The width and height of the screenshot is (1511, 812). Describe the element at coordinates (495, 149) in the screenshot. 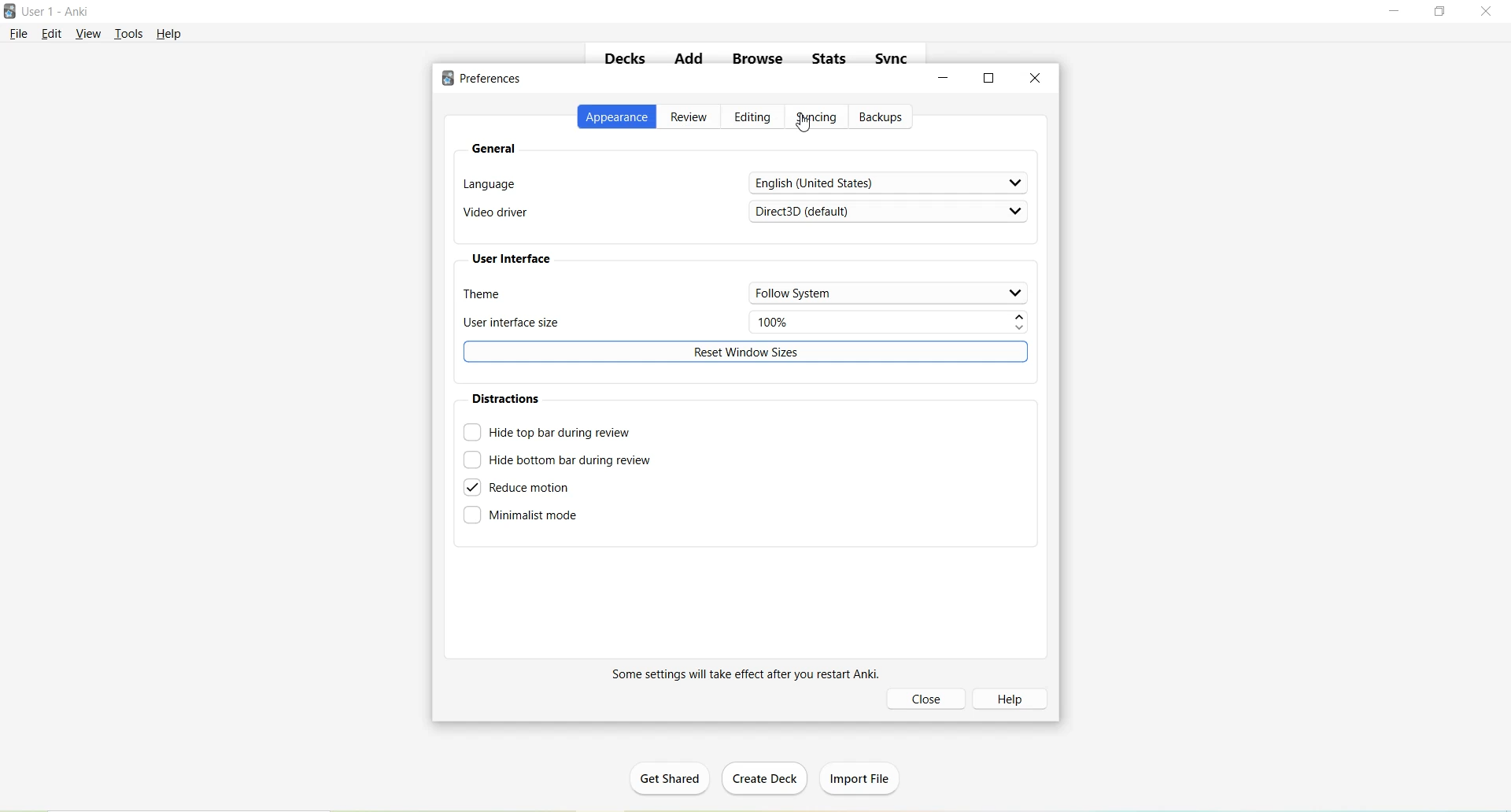

I see `General` at that location.